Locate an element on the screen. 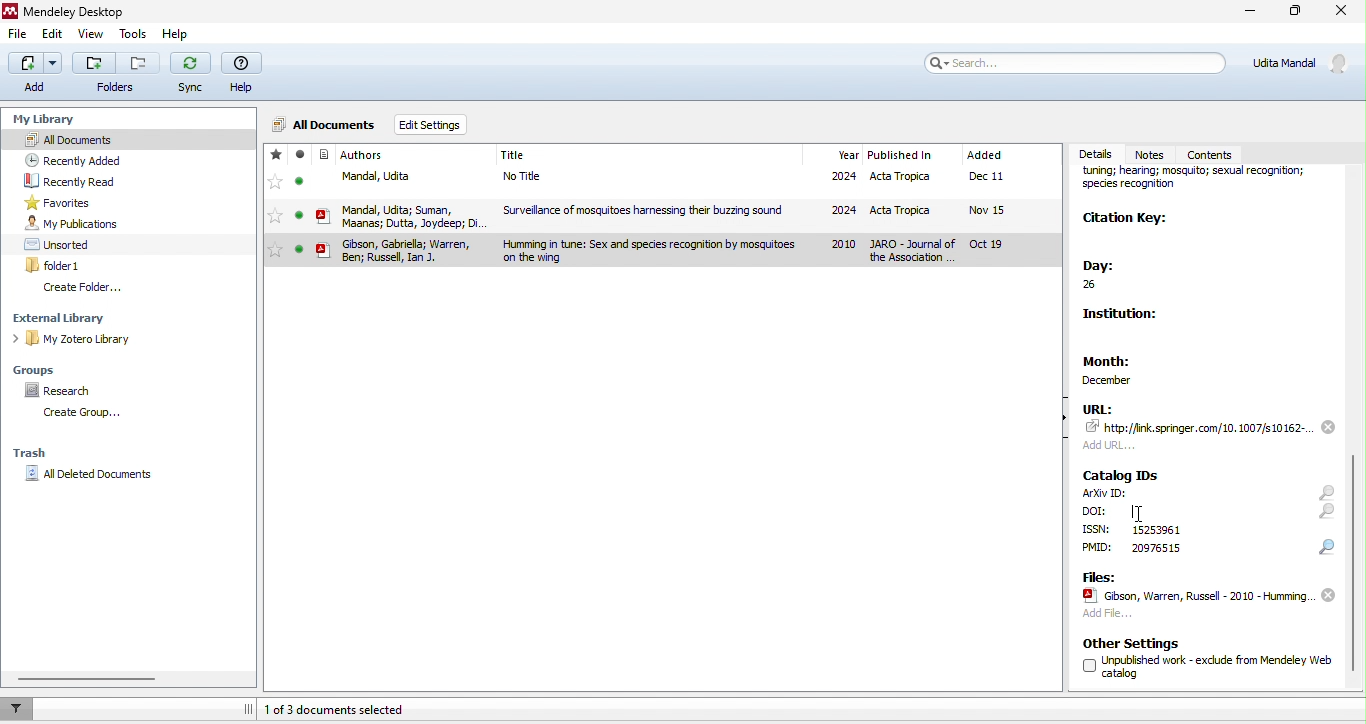 This screenshot has width=1366, height=724. published in is located at coordinates (900, 156).